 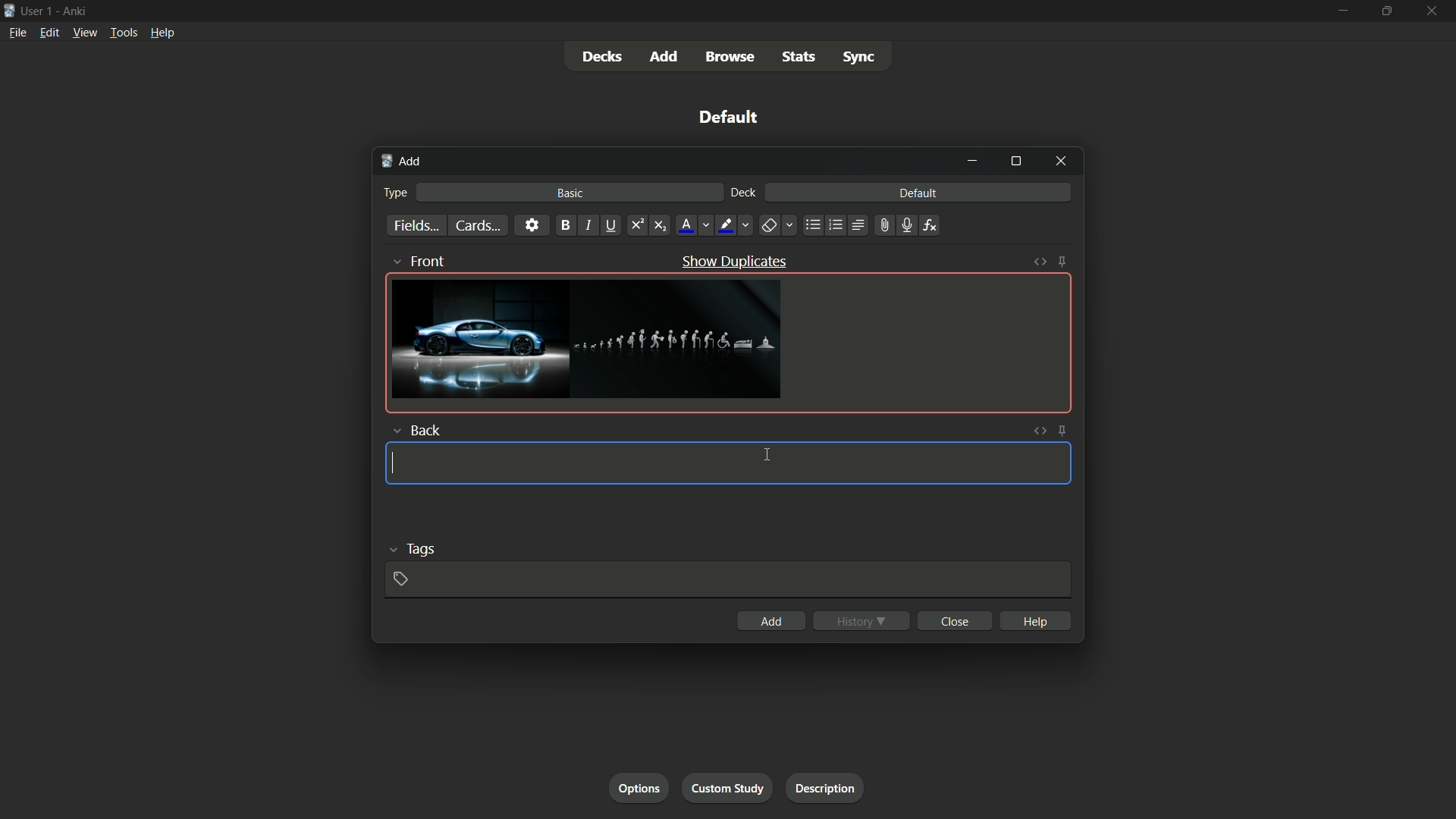 What do you see at coordinates (1062, 162) in the screenshot?
I see `close window` at bounding box center [1062, 162].